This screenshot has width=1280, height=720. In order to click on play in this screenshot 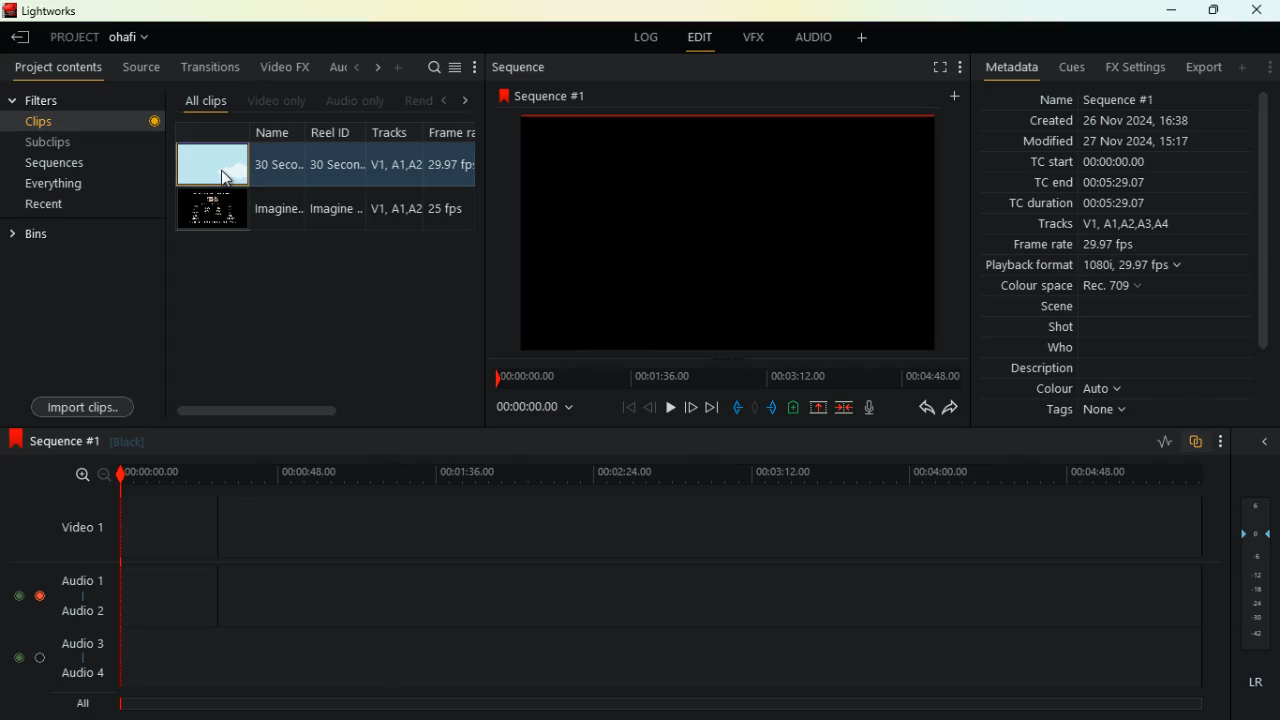, I will do `click(670, 406)`.